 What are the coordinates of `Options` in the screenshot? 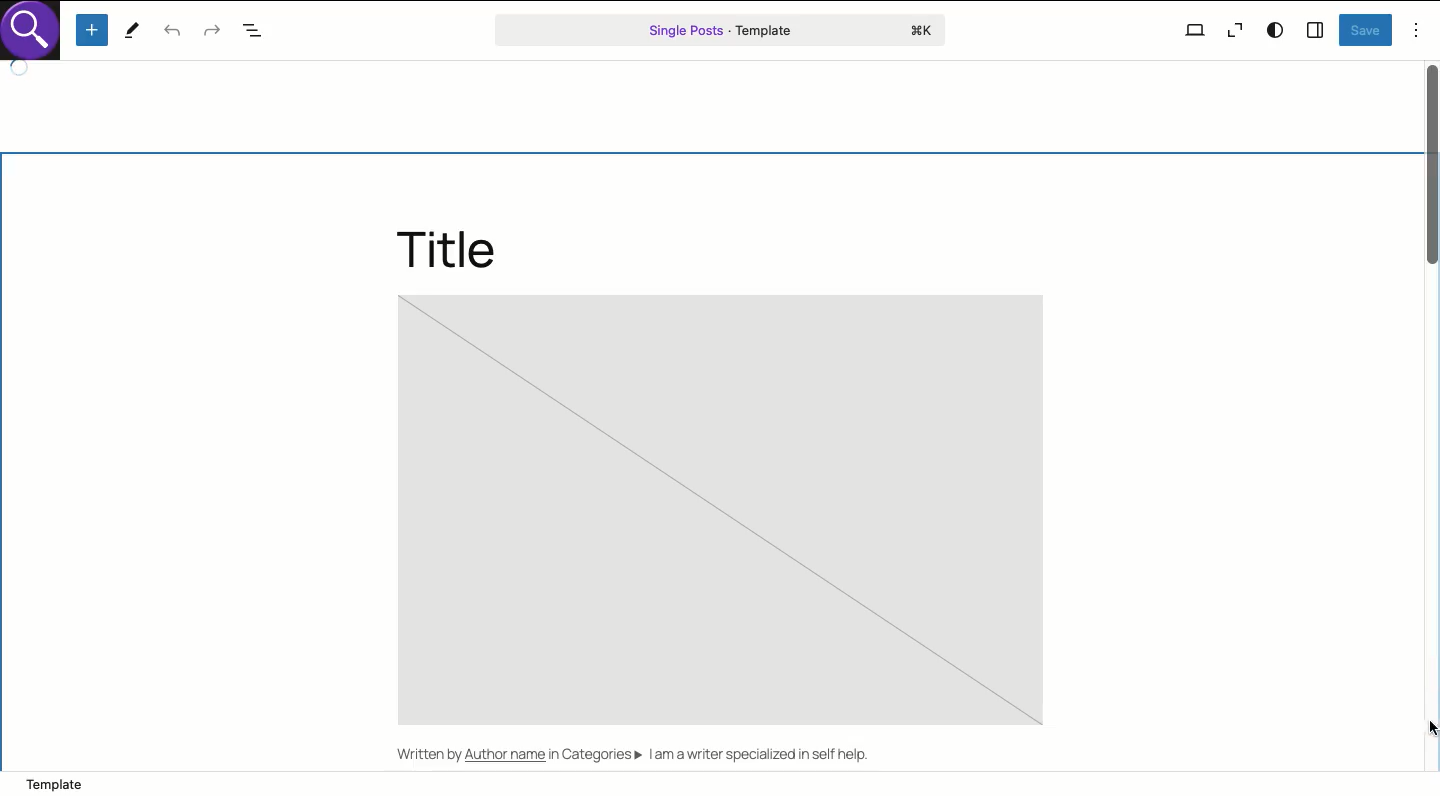 It's located at (1417, 30).